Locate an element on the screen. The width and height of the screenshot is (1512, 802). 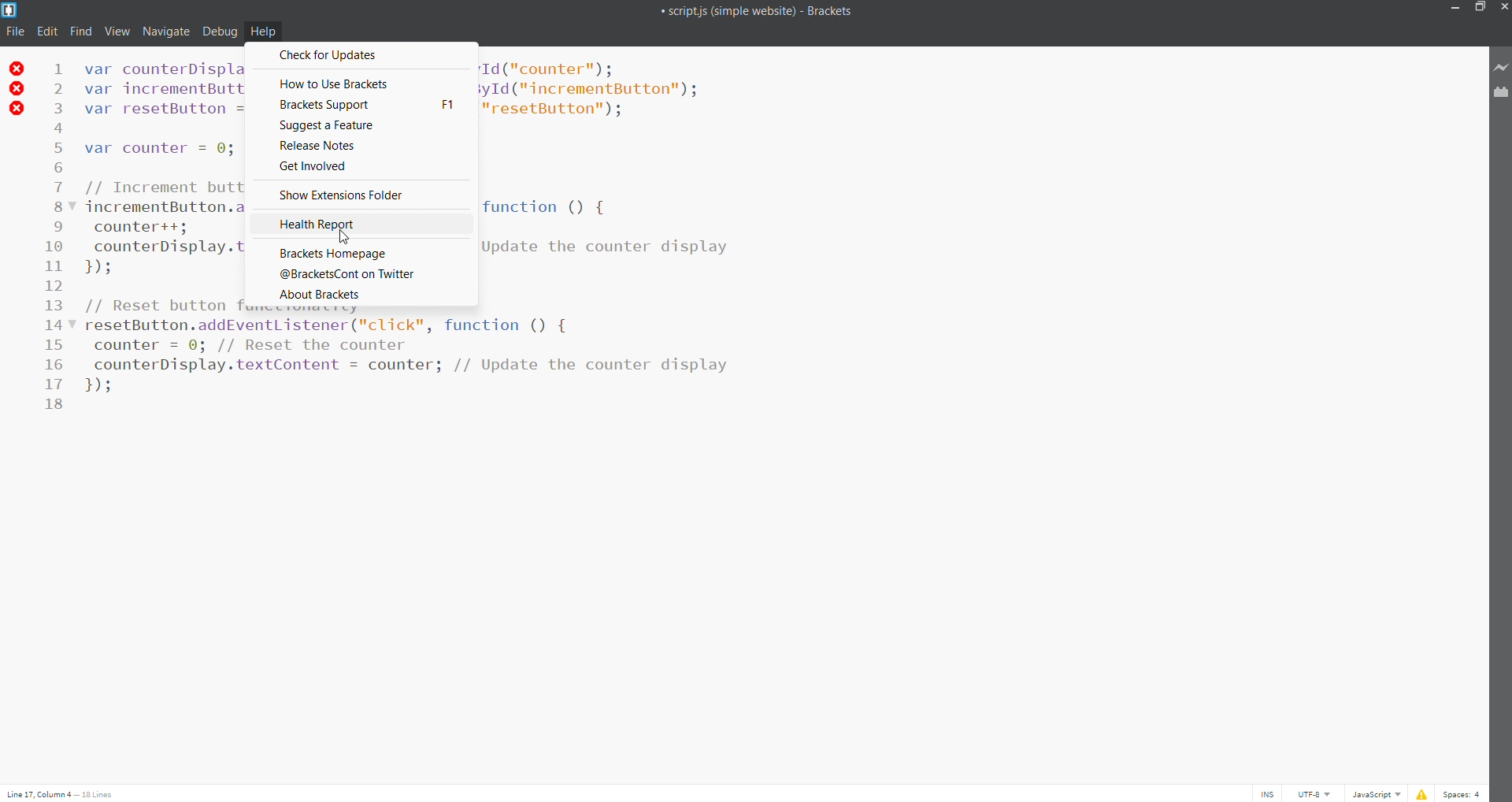
edit is located at coordinates (46, 33).